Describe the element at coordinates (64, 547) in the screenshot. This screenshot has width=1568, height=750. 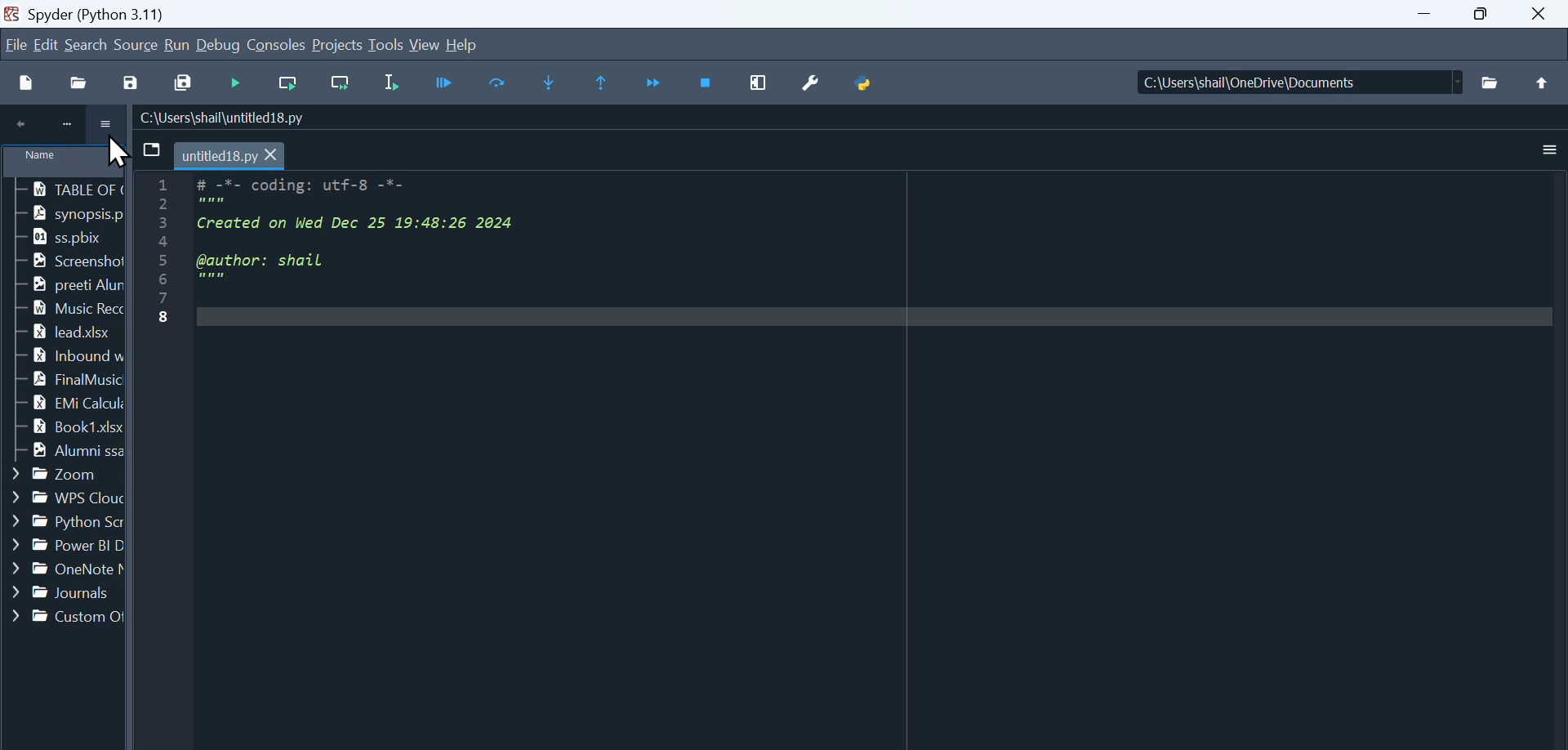
I see `Power BI D..` at that location.